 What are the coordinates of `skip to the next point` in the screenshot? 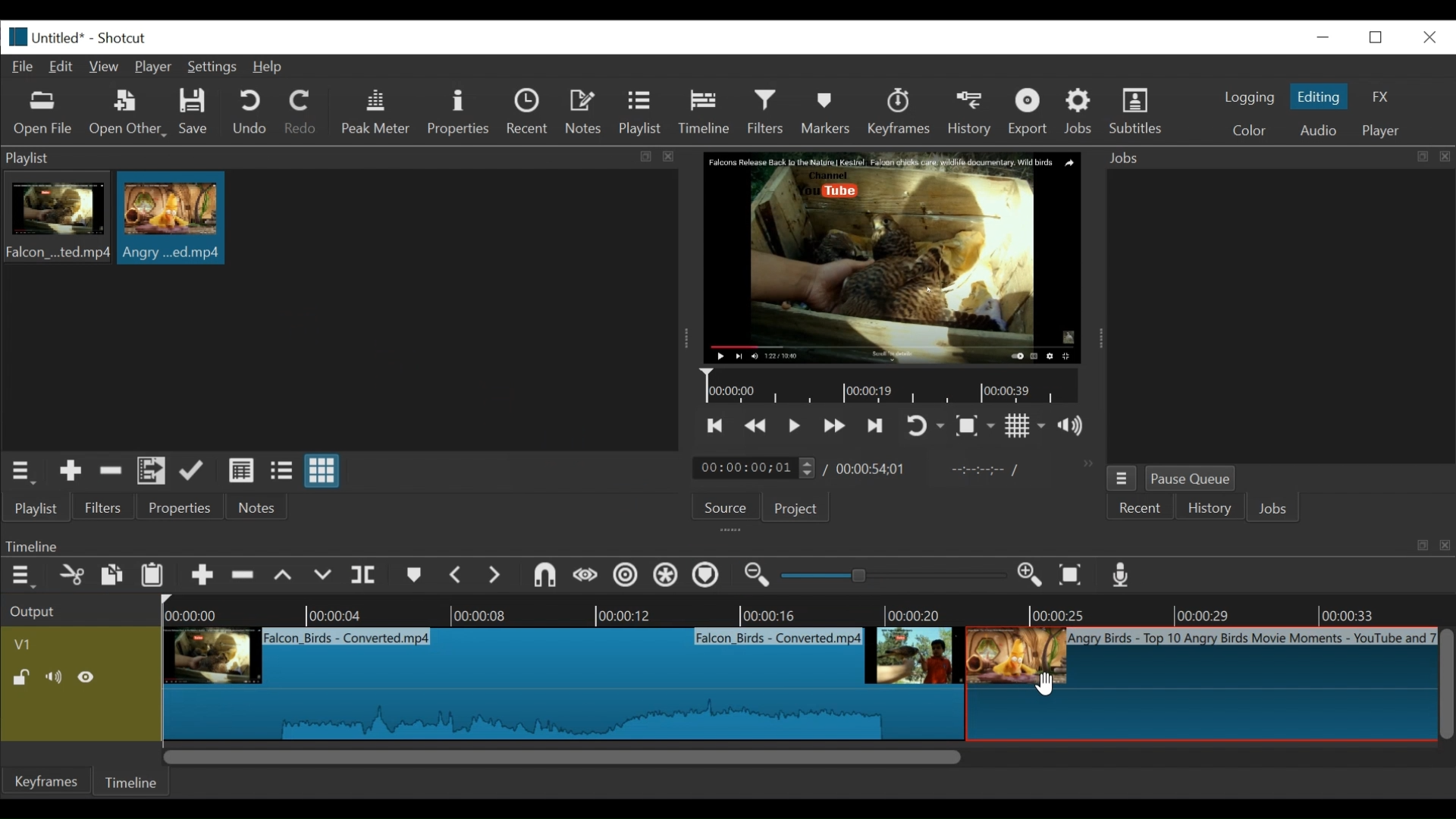 It's located at (877, 425).